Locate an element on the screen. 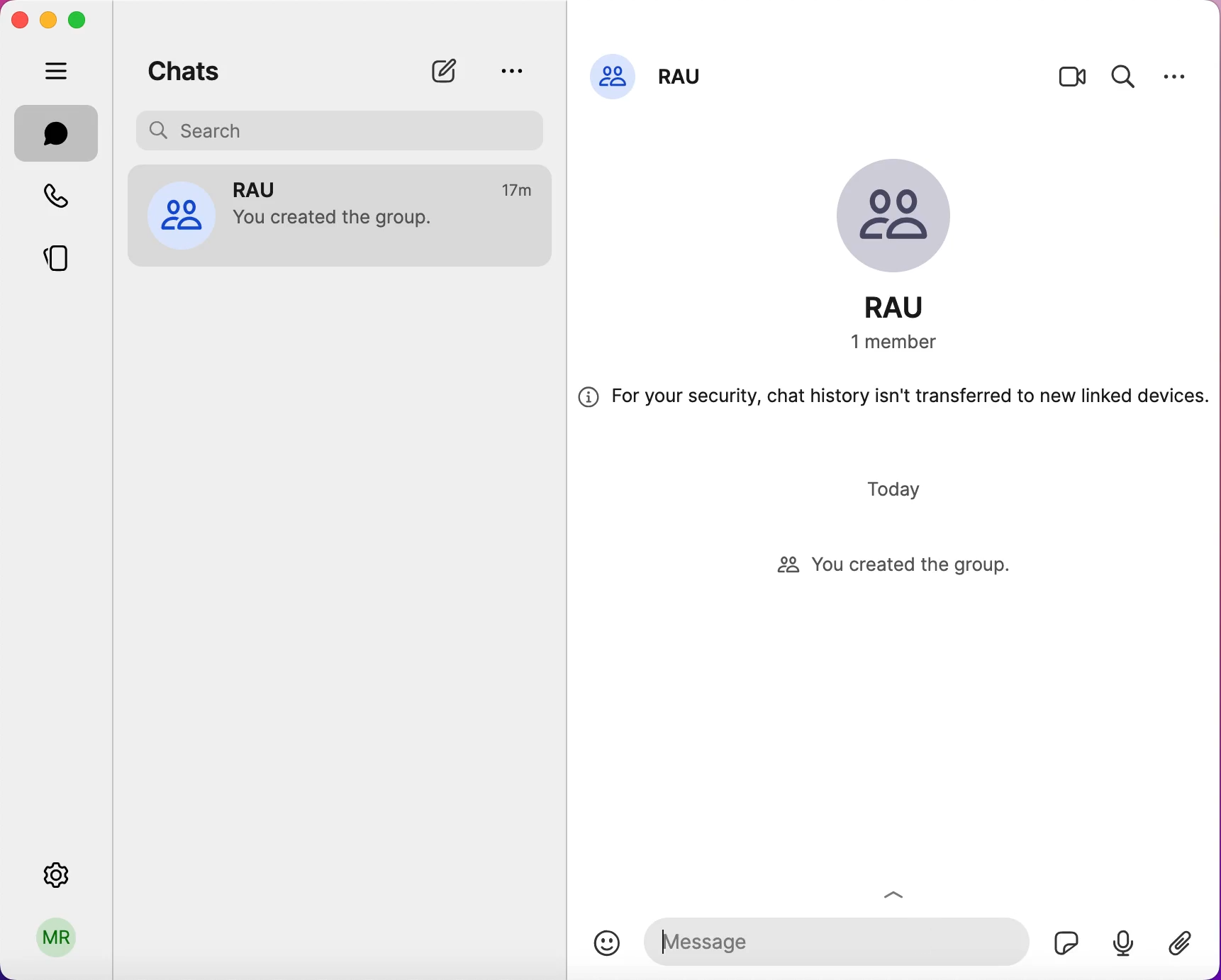  close is located at coordinates (19, 20).